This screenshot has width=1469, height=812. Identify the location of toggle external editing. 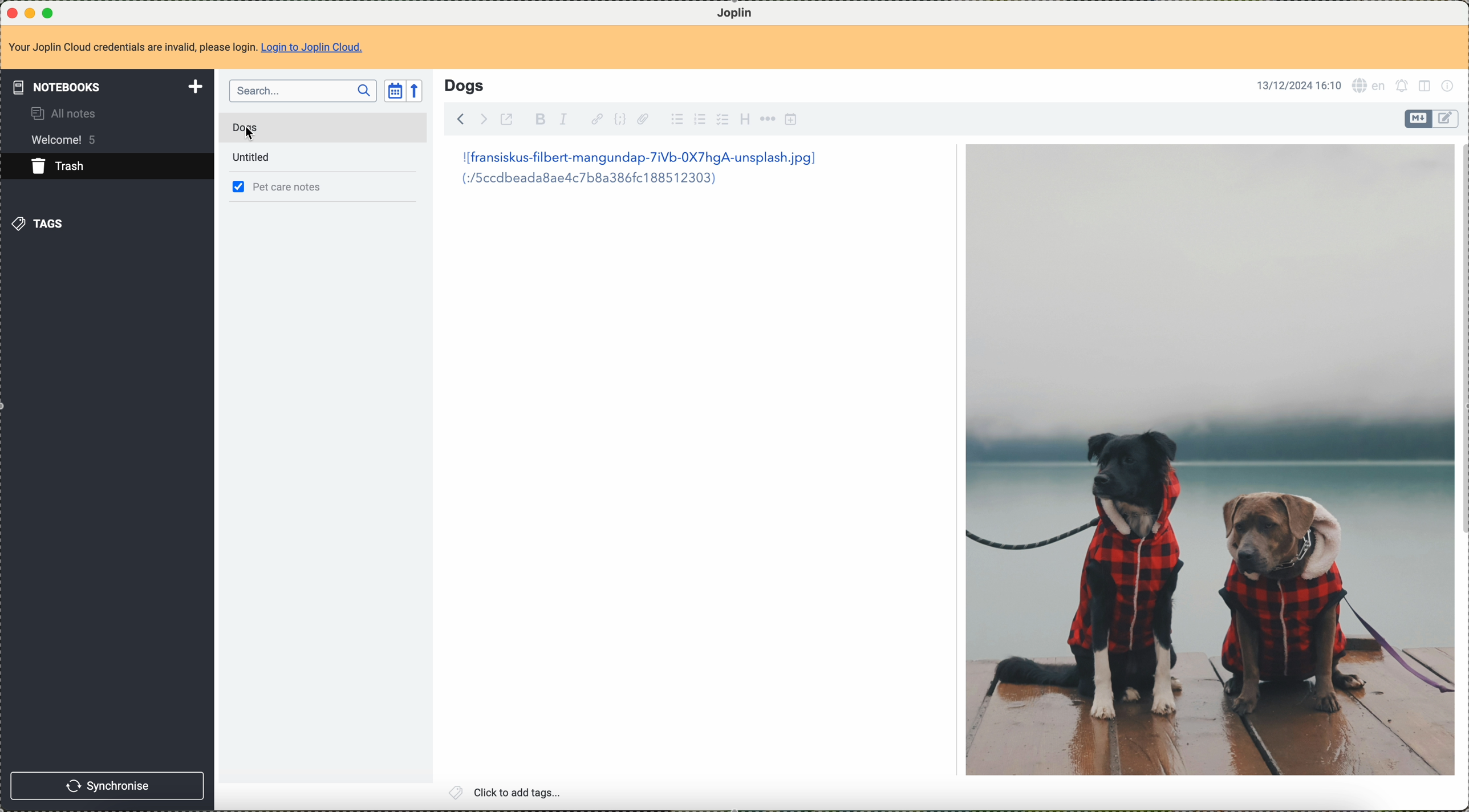
(510, 119).